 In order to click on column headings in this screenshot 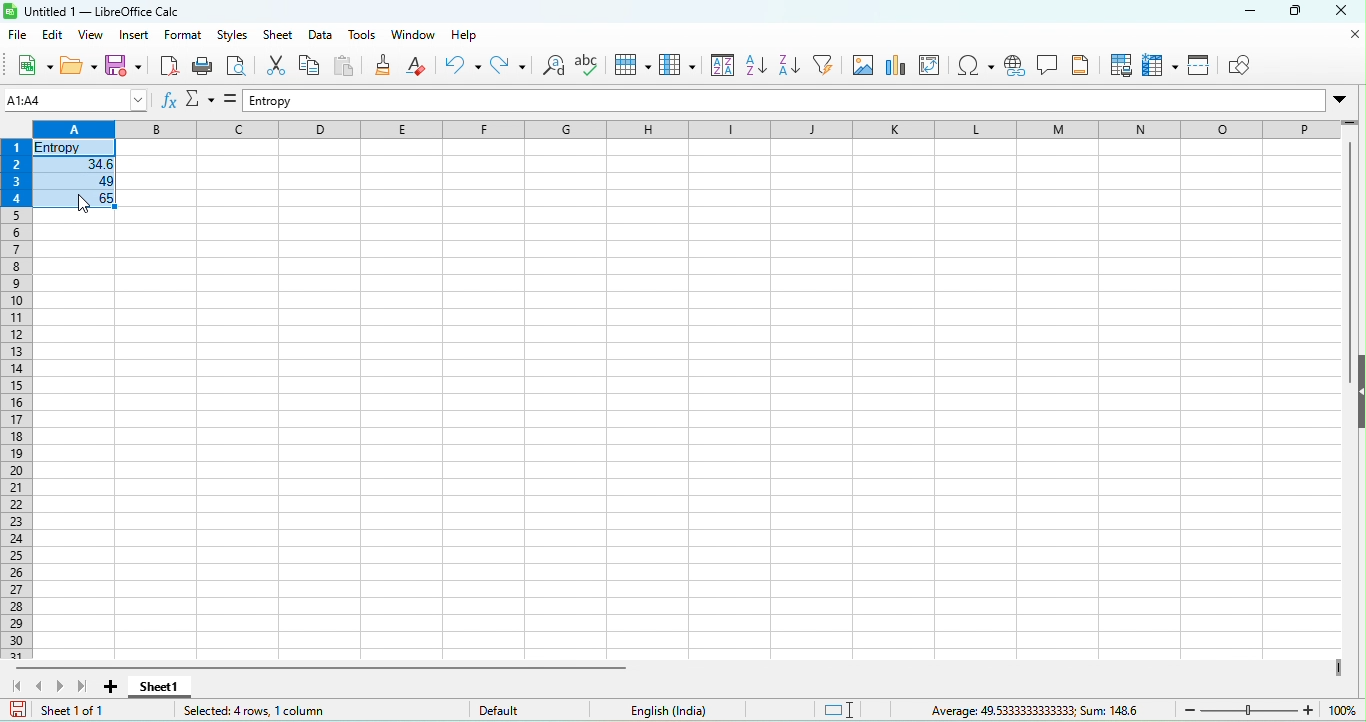, I will do `click(687, 130)`.